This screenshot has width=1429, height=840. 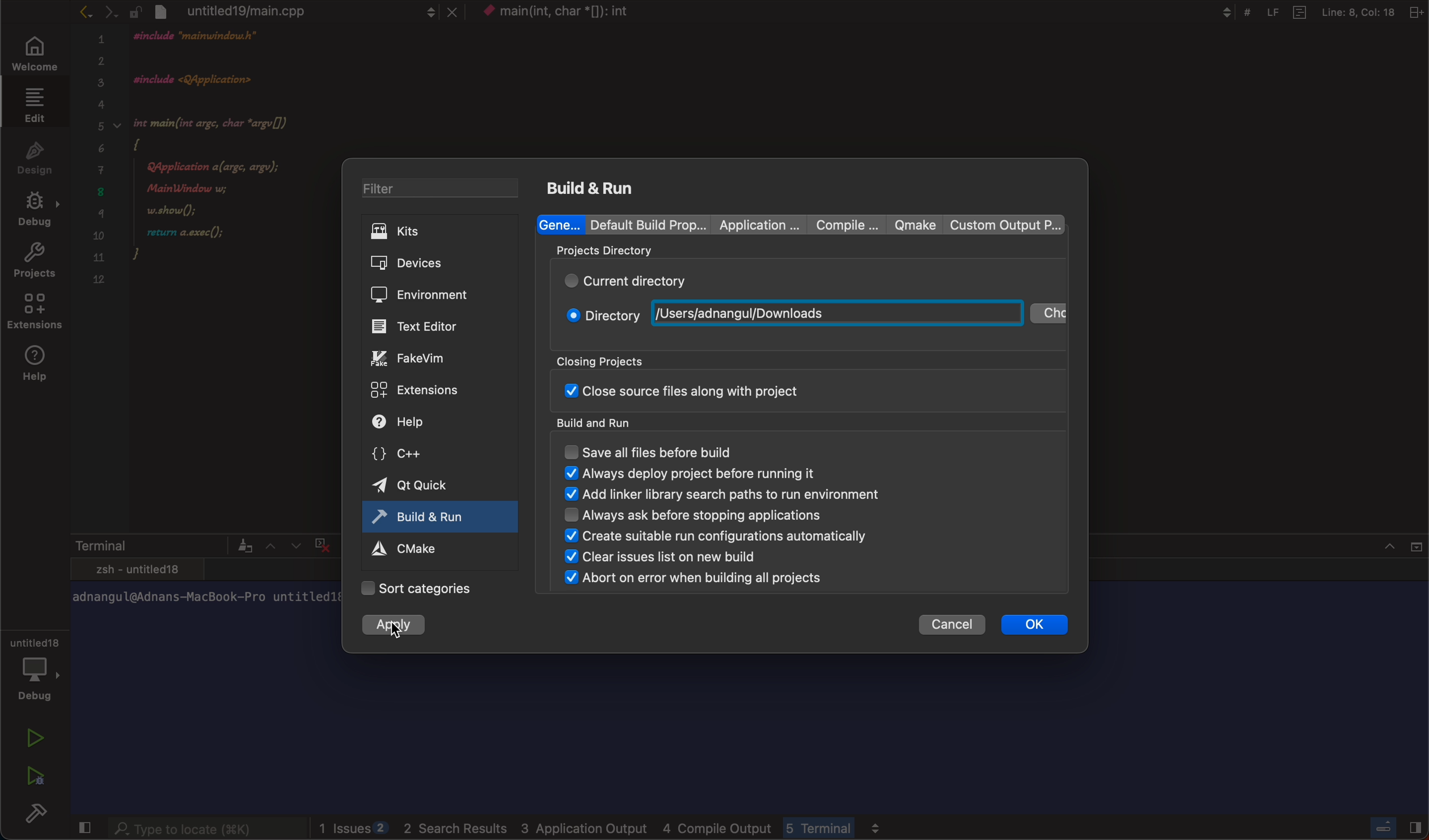 What do you see at coordinates (695, 474) in the screenshot?
I see `always display` at bounding box center [695, 474].